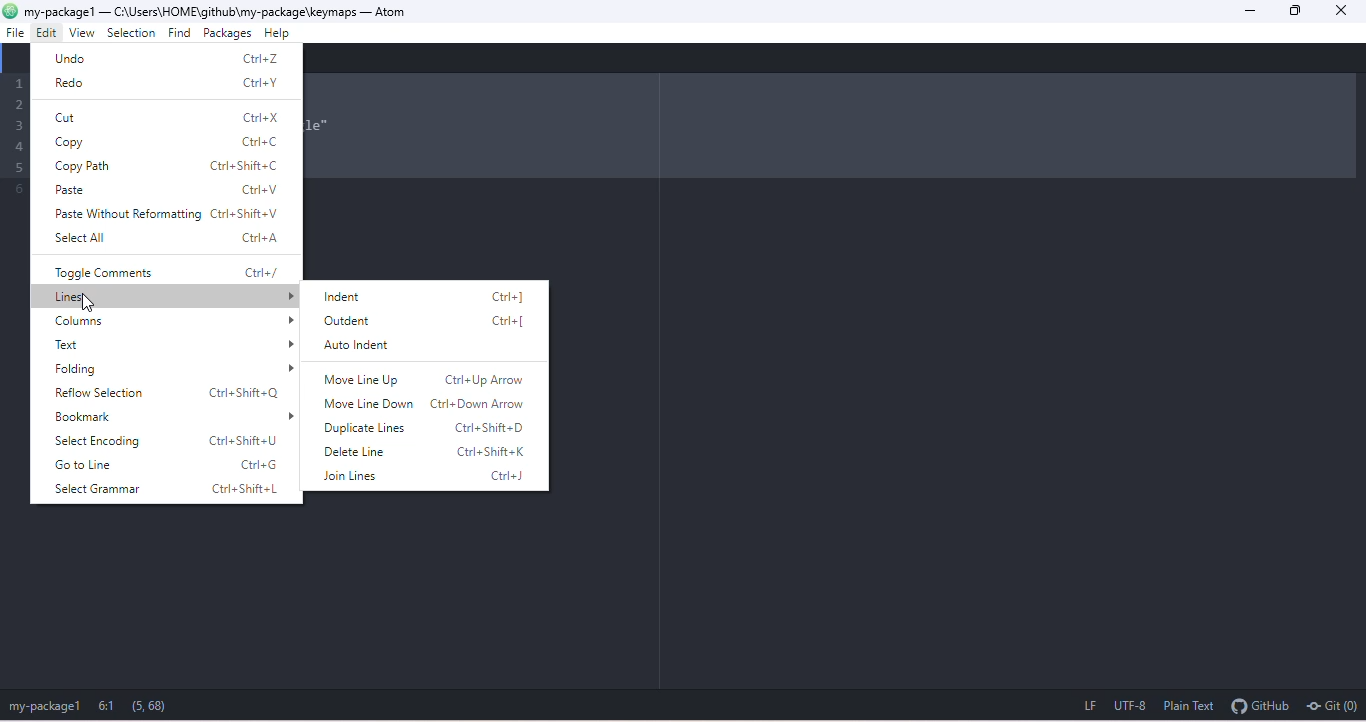 The image size is (1366, 722). What do you see at coordinates (59, 10) in the screenshot?
I see `my-package1` at bounding box center [59, 10].